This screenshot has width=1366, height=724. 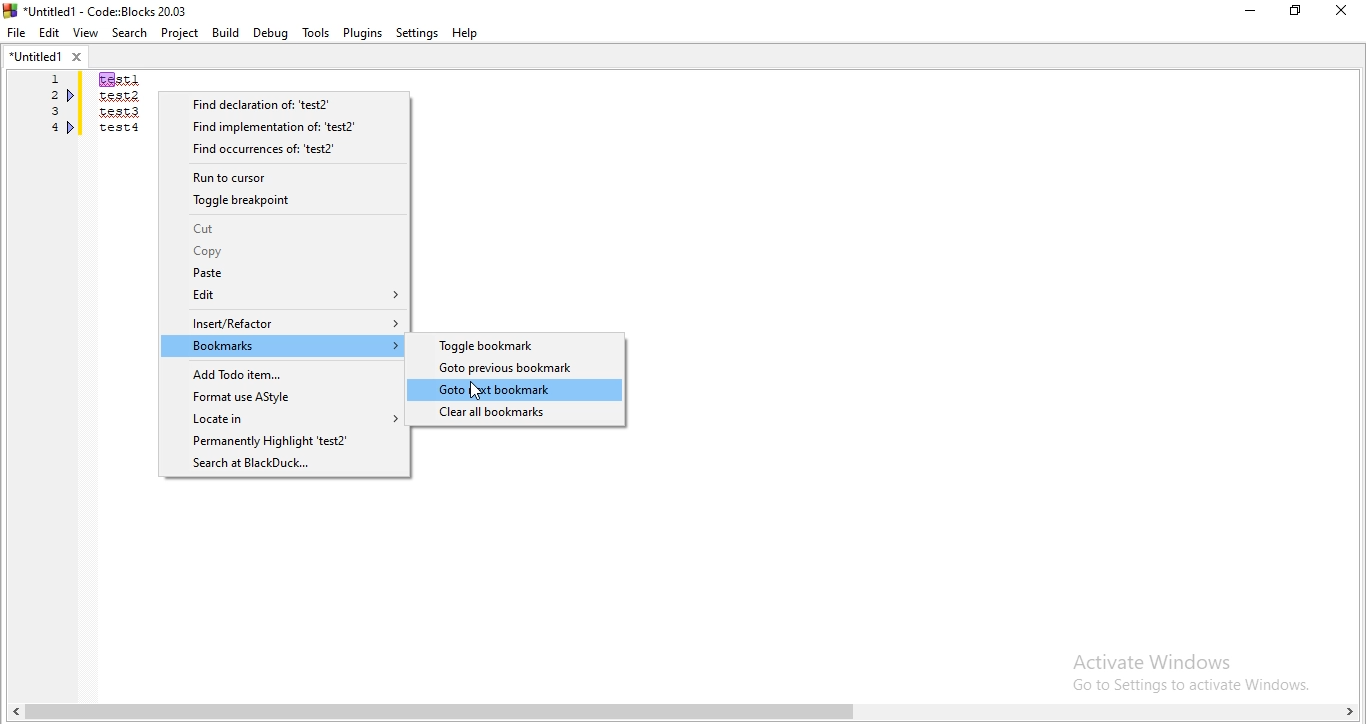 What do you see at coordinates (516, 390) in the screenshot?
I see `Goto next bookmark` at bounding box center [516, 390].